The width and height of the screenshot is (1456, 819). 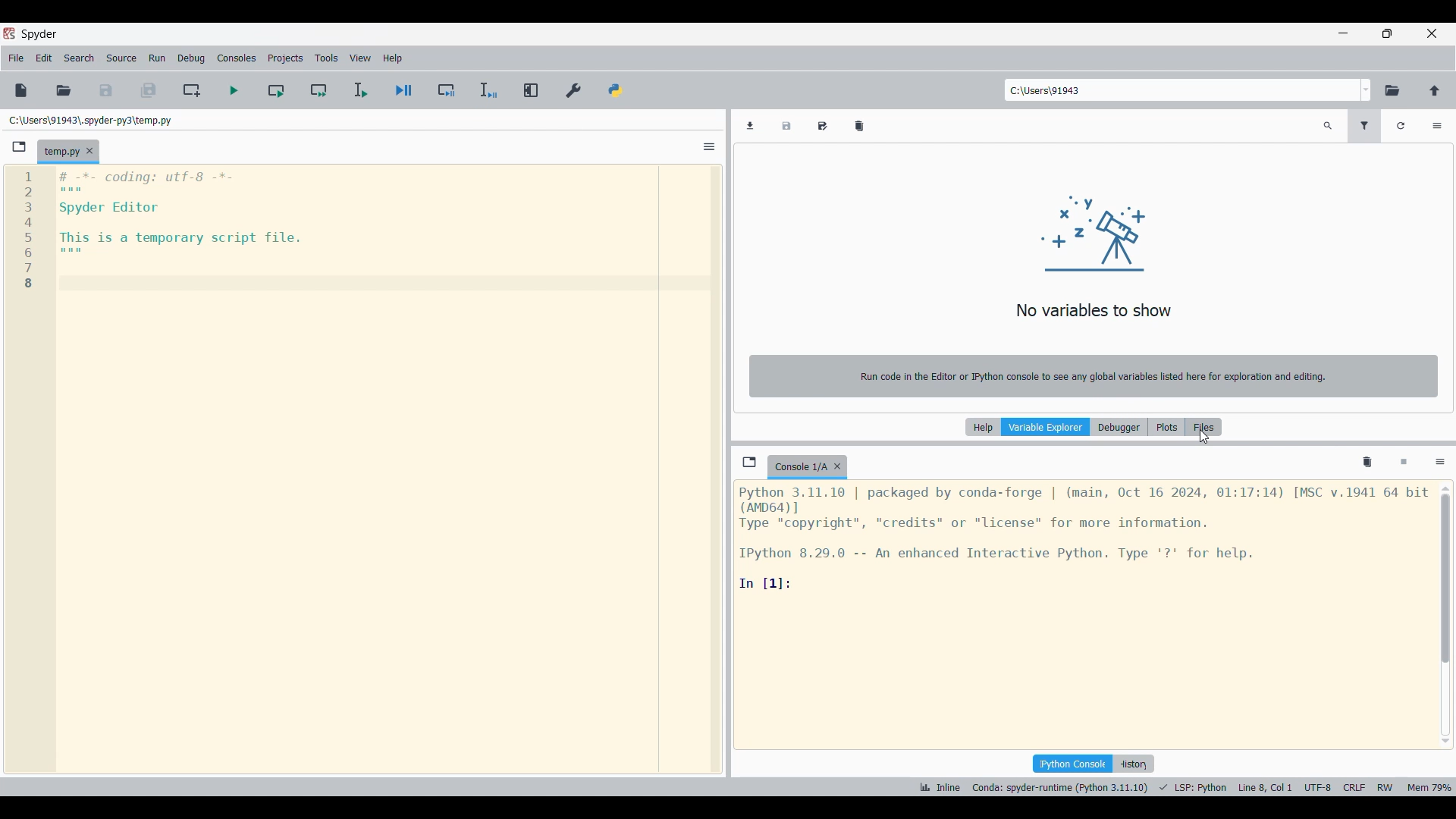 What do you see at coordinates (122, 58) in the screenshot?
I see `Source menu` at bounding box center [122, 58].